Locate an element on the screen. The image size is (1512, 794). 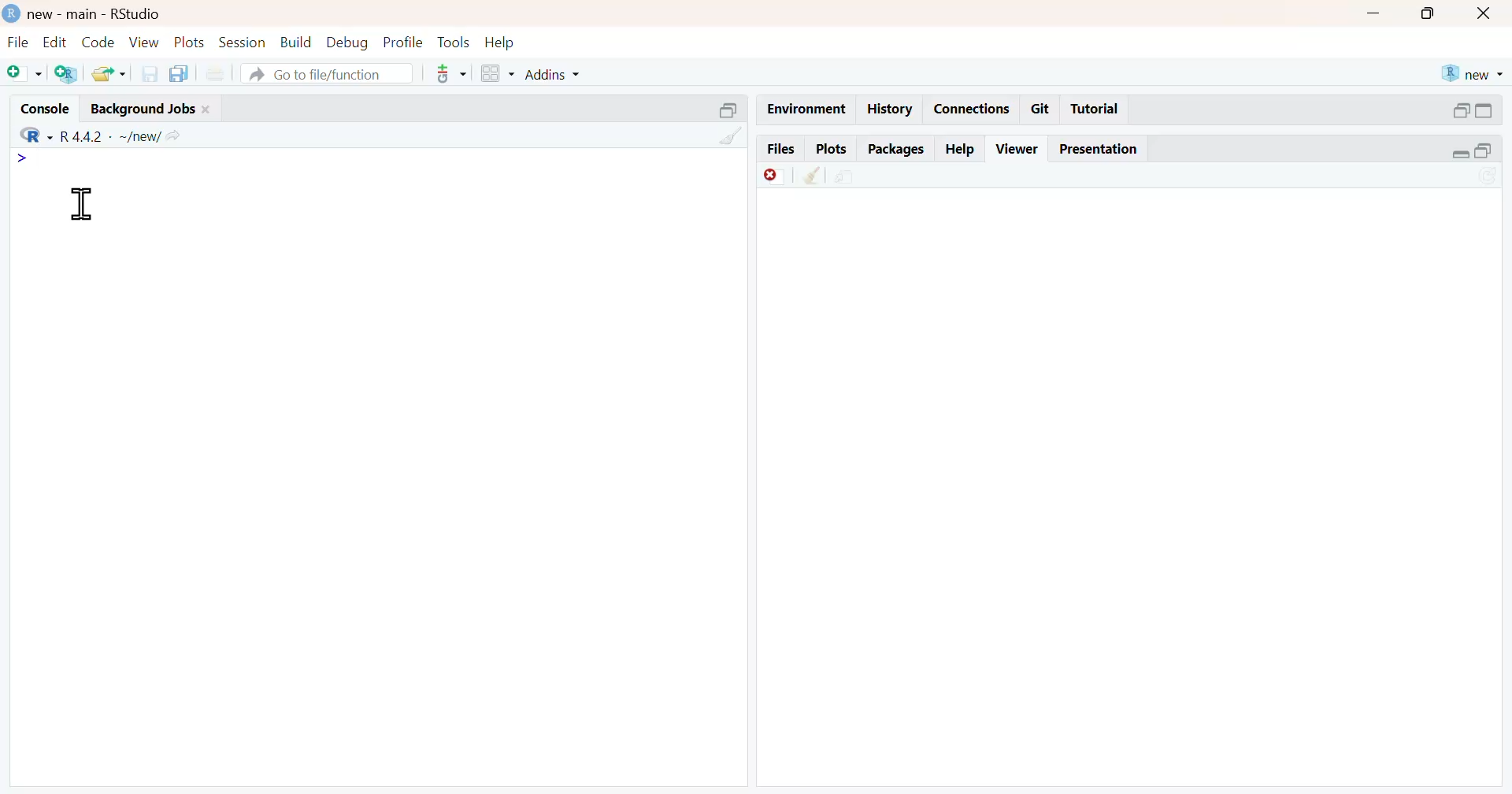
clear all viewer item is located at coordinates (813, 177).